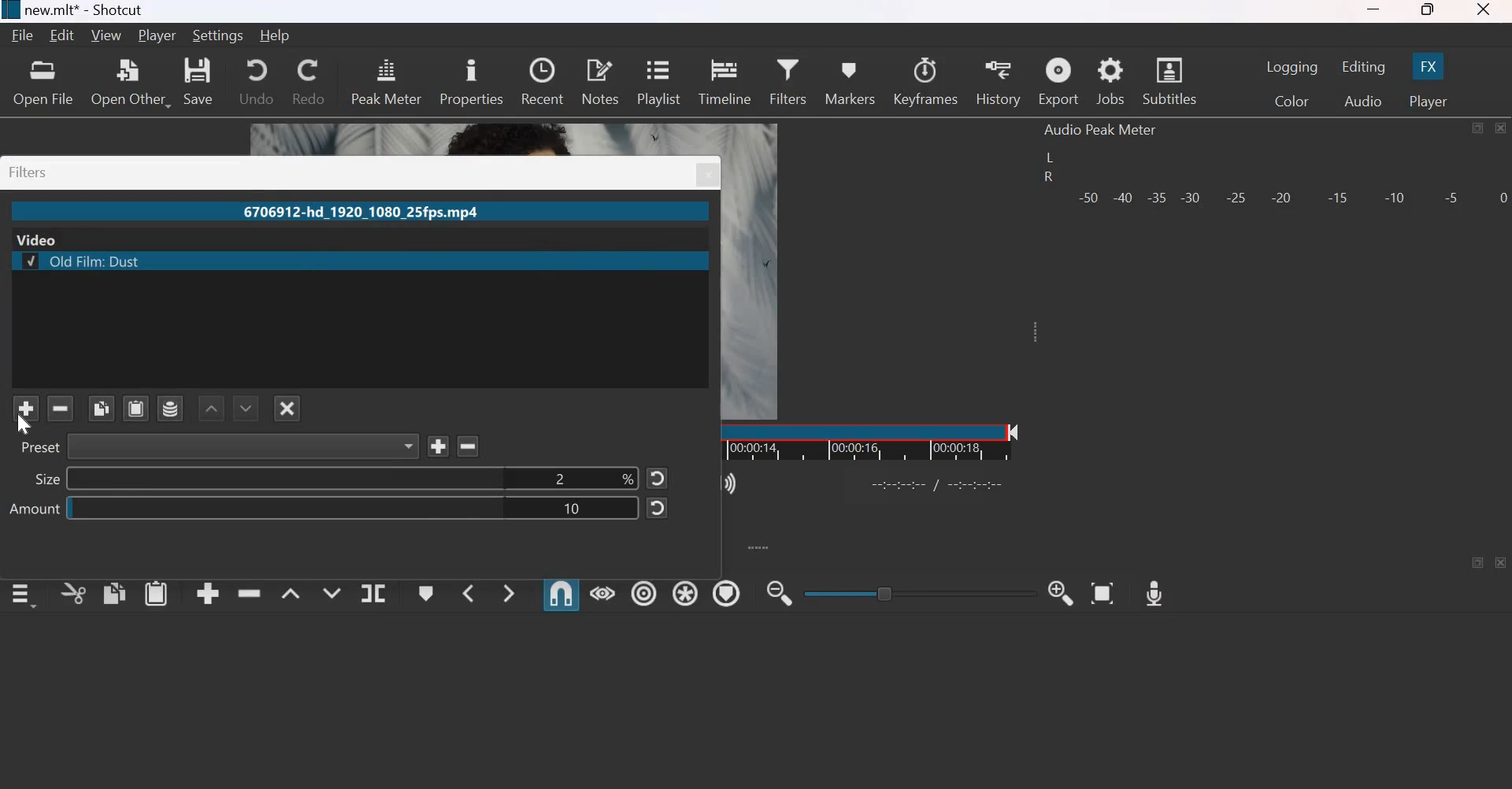 Image resolution: width=1512 pixels, height=789 pixels. What do you see at coordinates (42, 448) in the screenshot?
I see `Preset` at bounding box center [42, 448].